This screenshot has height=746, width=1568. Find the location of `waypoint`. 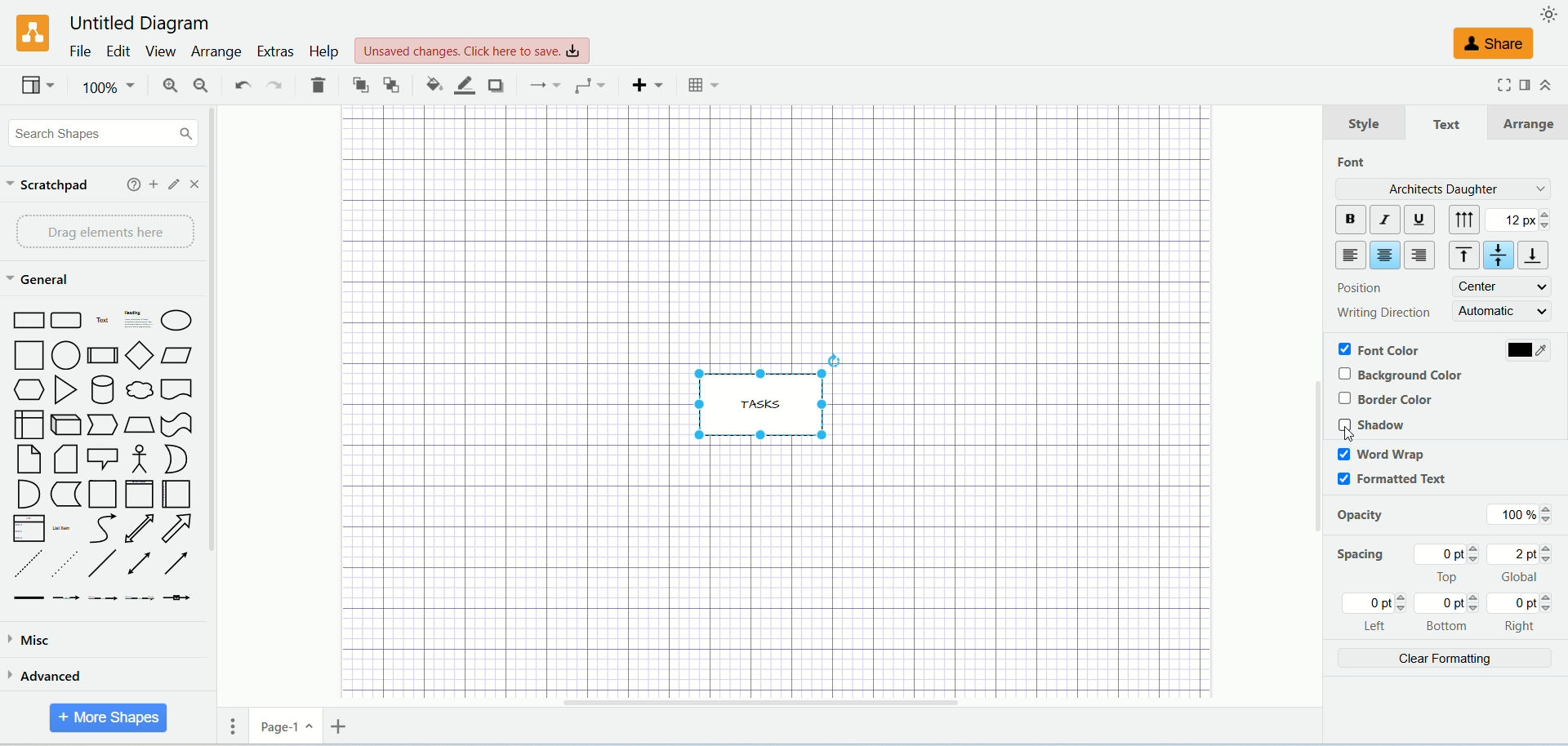

waypoint is located at coordinates (586, 84).